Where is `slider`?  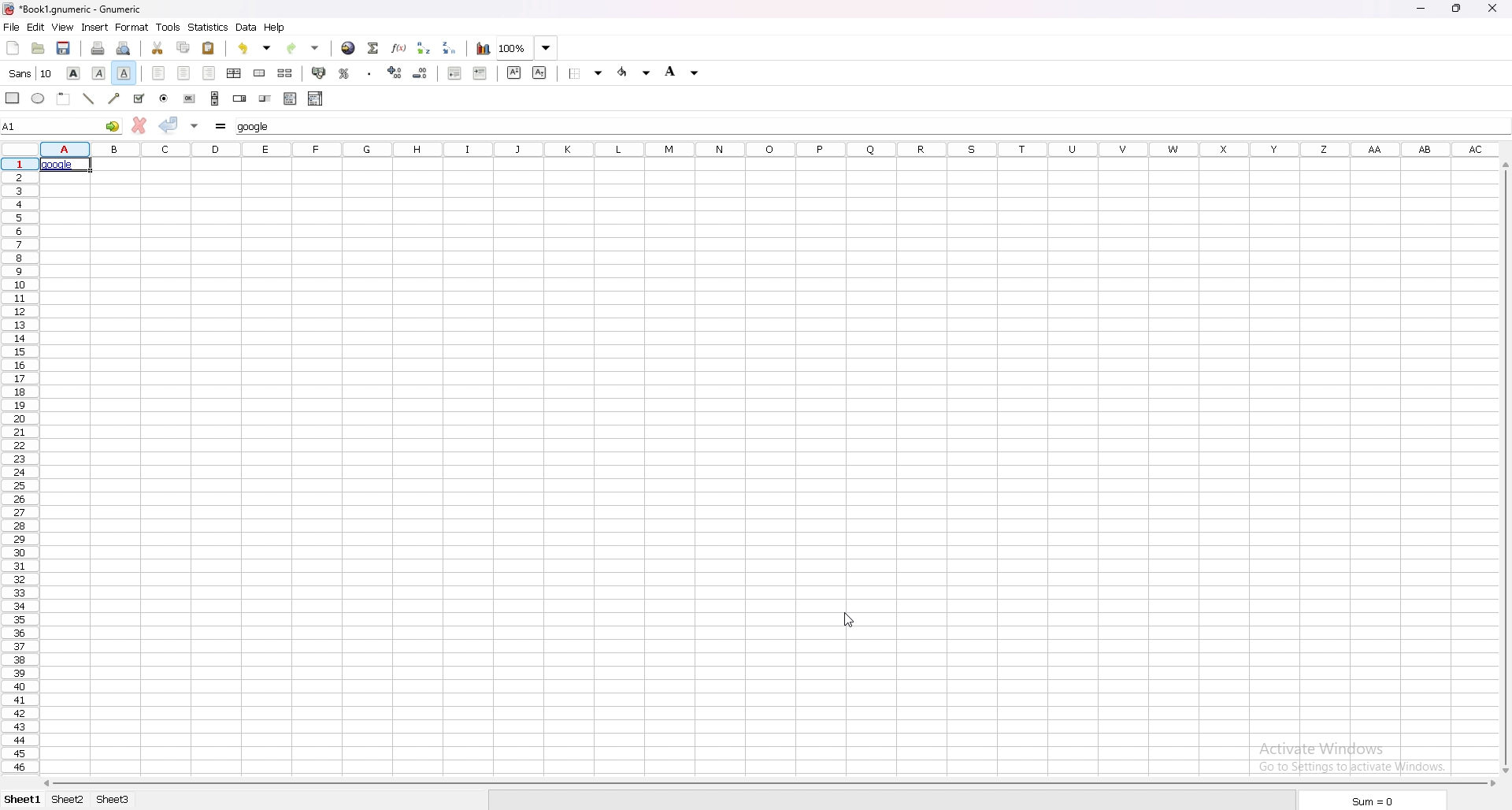 slider is located at coordinates (265, 98).